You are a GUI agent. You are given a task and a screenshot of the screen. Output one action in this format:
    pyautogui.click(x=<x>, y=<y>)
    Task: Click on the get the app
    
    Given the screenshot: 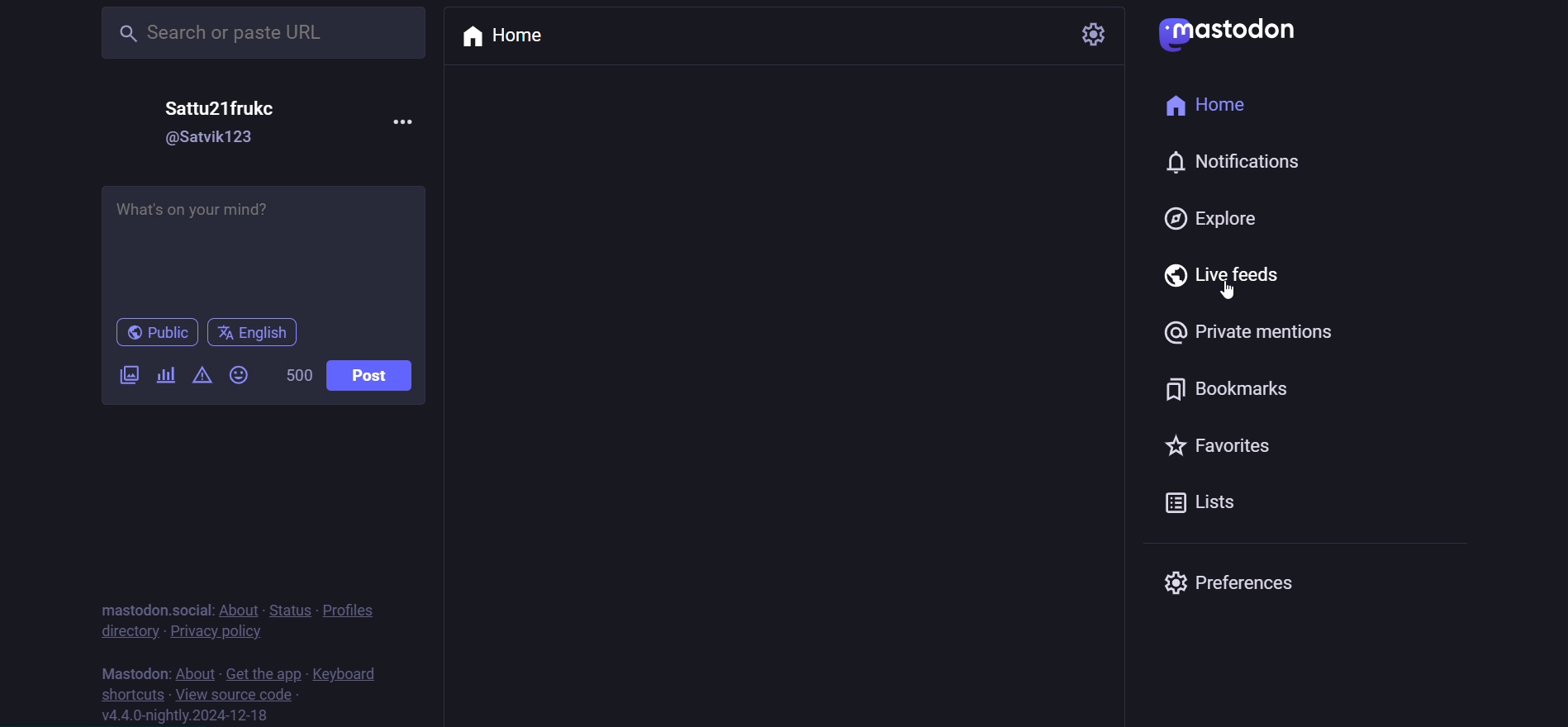 What is the action you would take?
    pyautogui.click(x=259, y=672)
    